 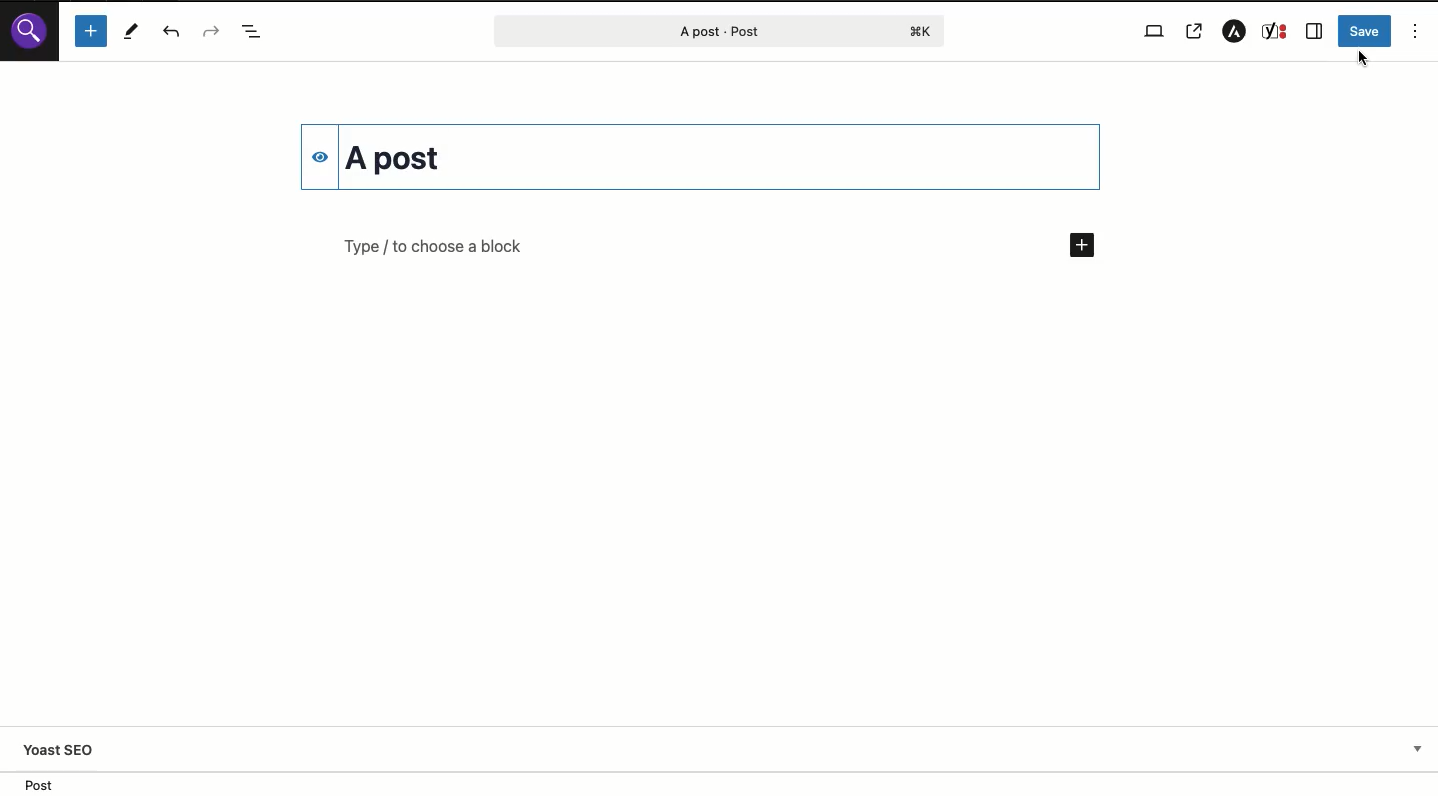 What do you see at coordinates (668, 246) in the screenshot?
I see `Add block` at bounding box center [668, 246].